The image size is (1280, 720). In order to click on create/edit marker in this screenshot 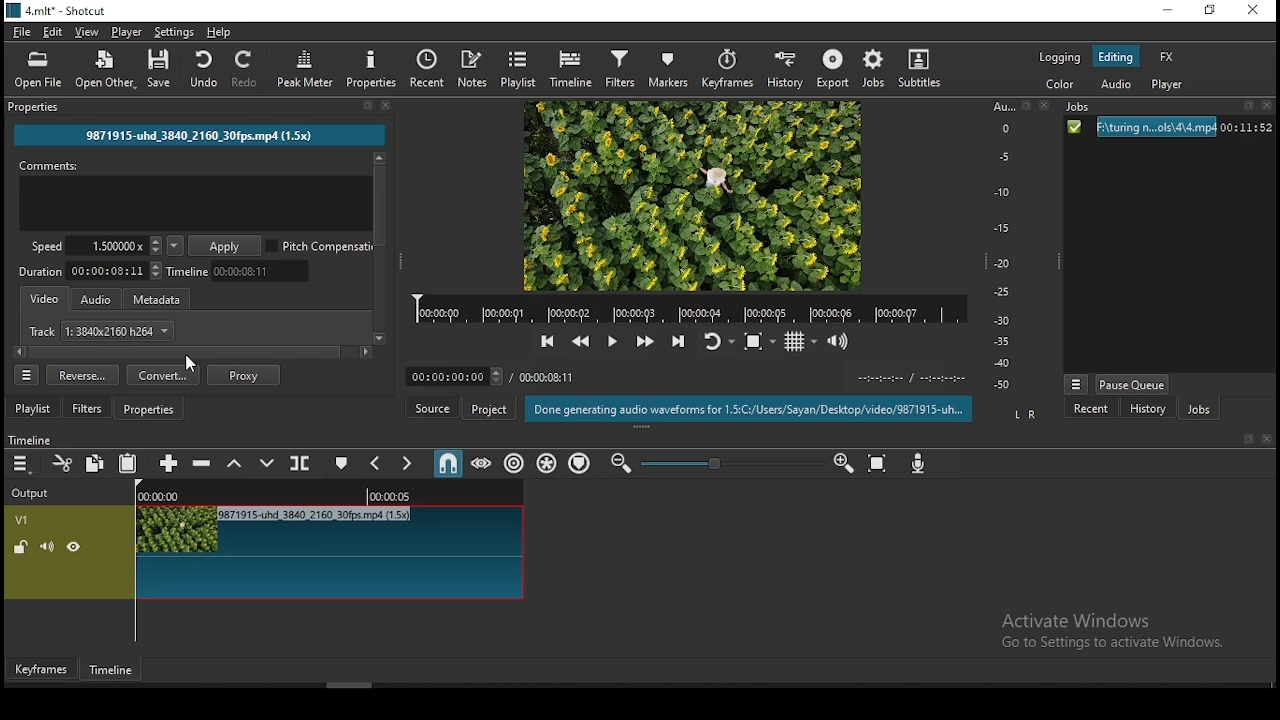, I will do `click(342, 462)`.